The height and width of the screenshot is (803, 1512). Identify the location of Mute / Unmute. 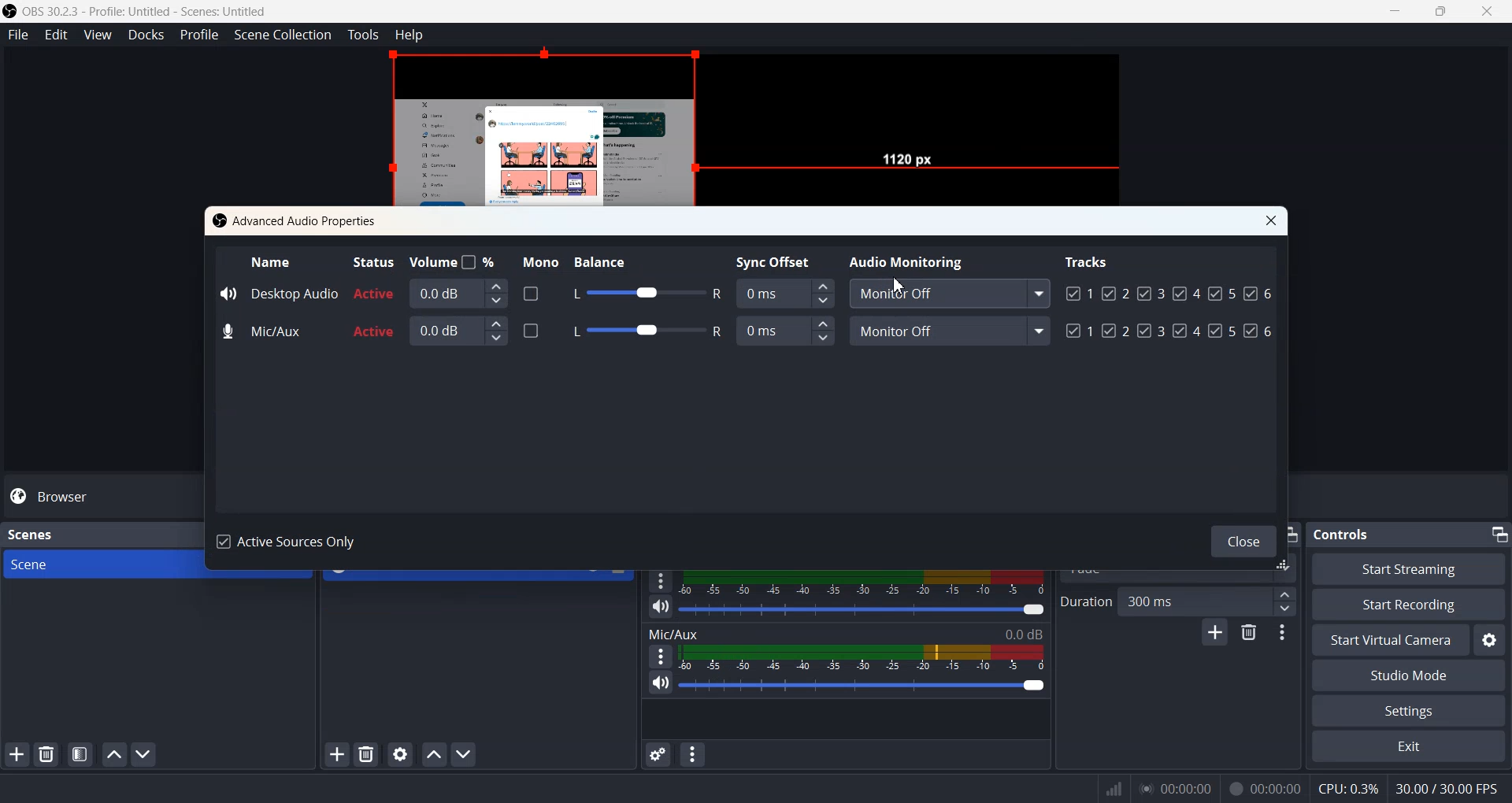
(661, 606).